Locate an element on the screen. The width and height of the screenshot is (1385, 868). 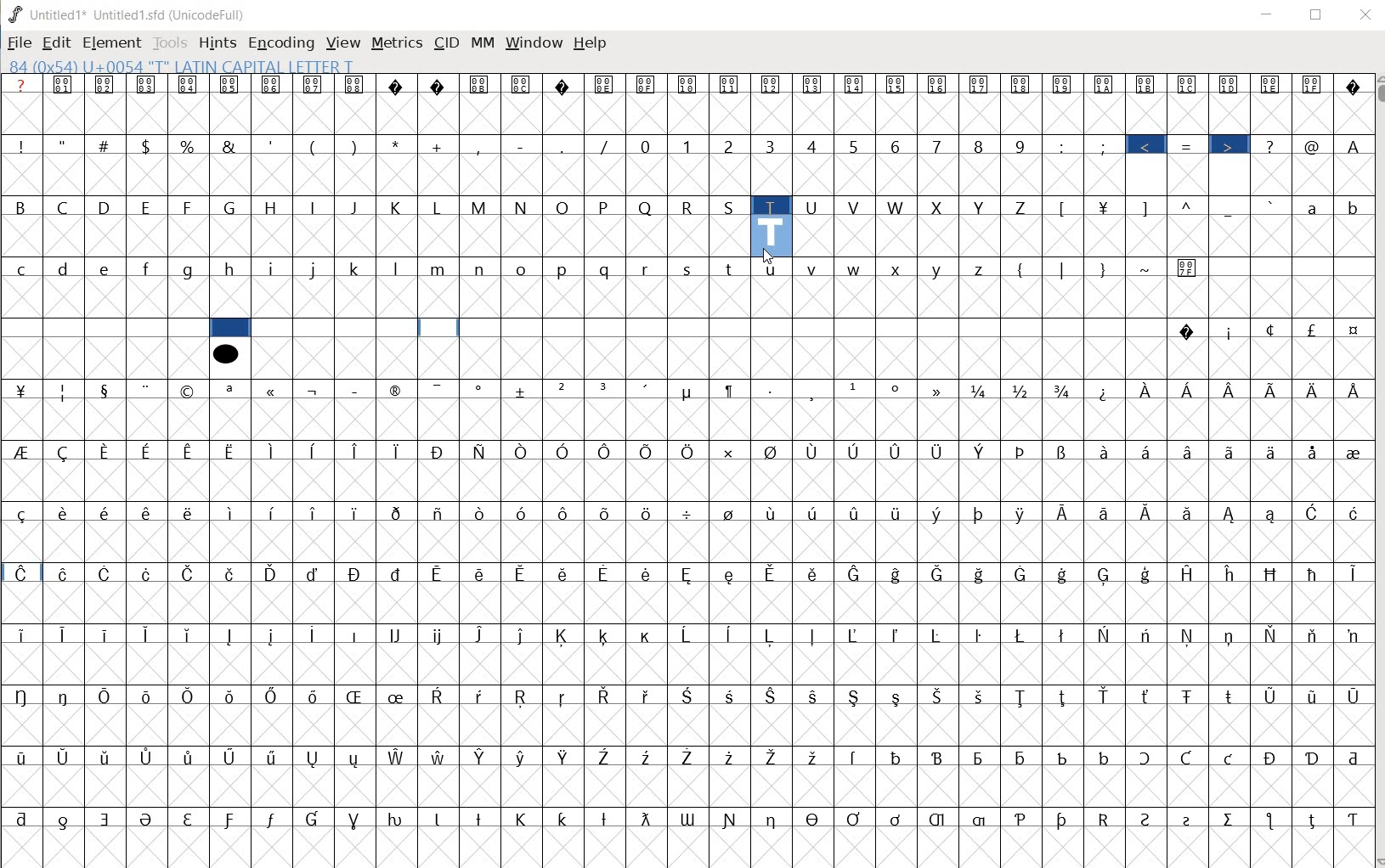
: is located at coordinates (1063, 145).